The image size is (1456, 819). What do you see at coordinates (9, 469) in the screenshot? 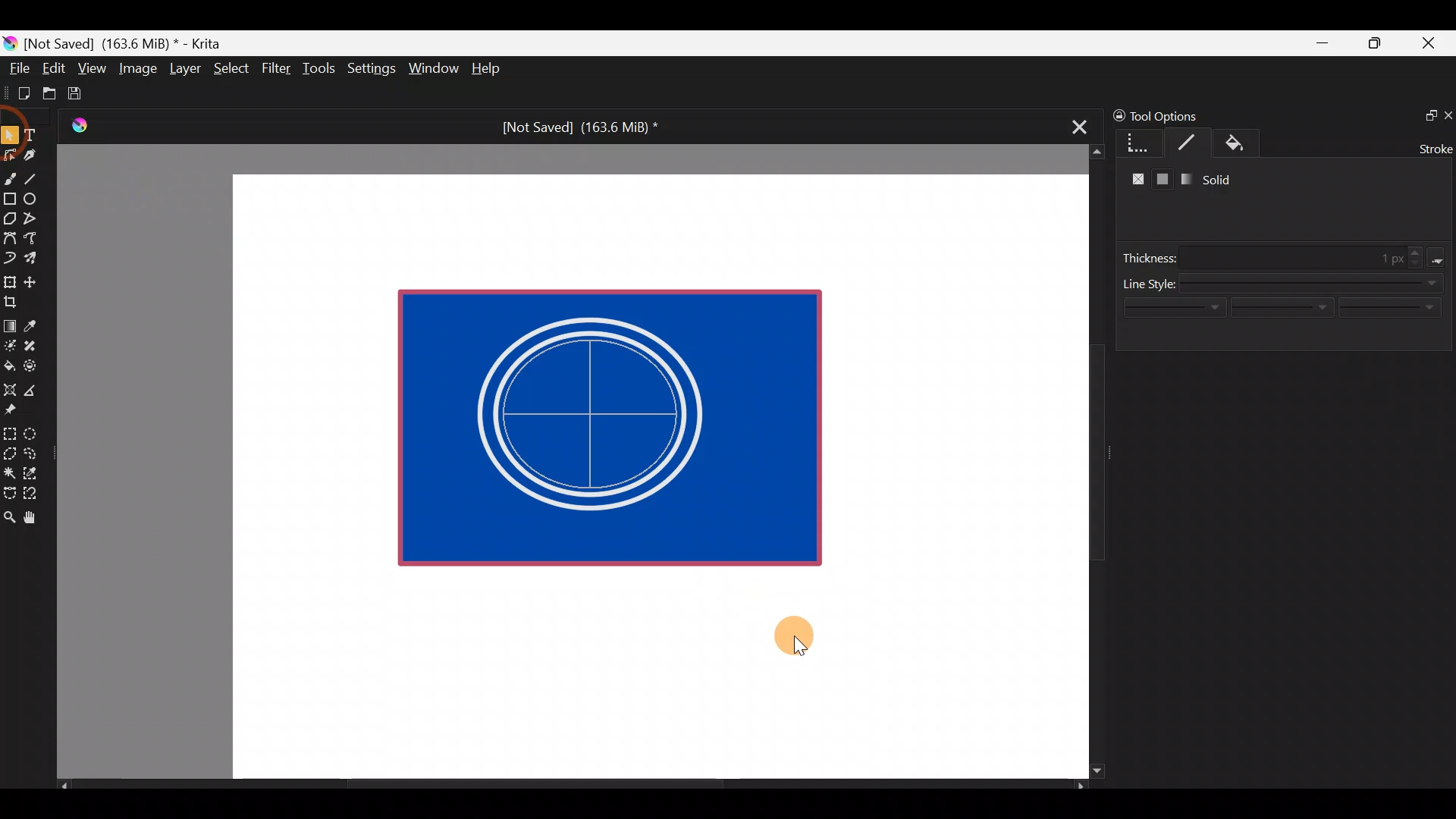
I see `Contiguous selection tool` at bounding box center [9, 469].